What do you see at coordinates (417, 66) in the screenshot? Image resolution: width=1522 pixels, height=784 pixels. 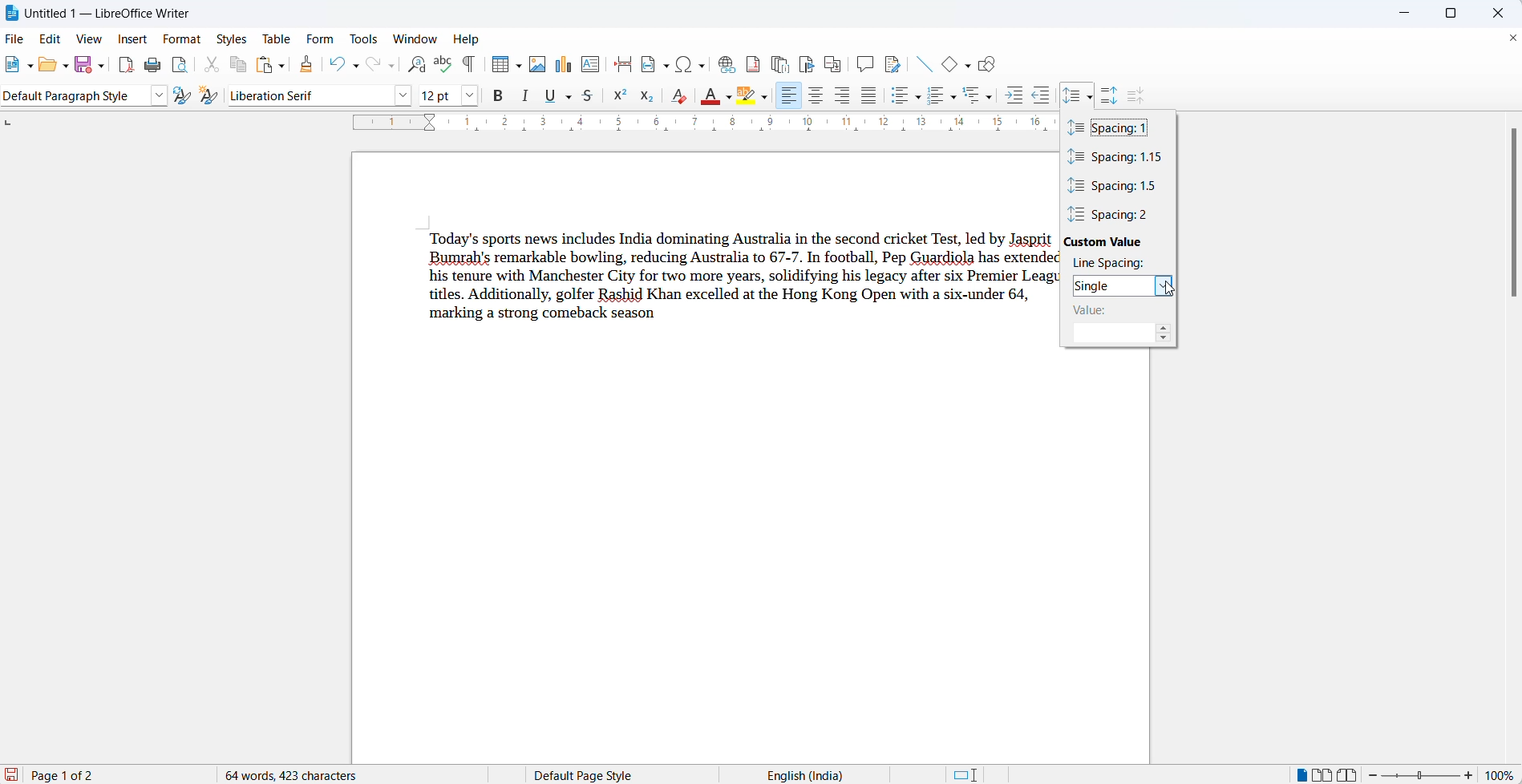 I see `find and relace` at bounding box center [417, 66].